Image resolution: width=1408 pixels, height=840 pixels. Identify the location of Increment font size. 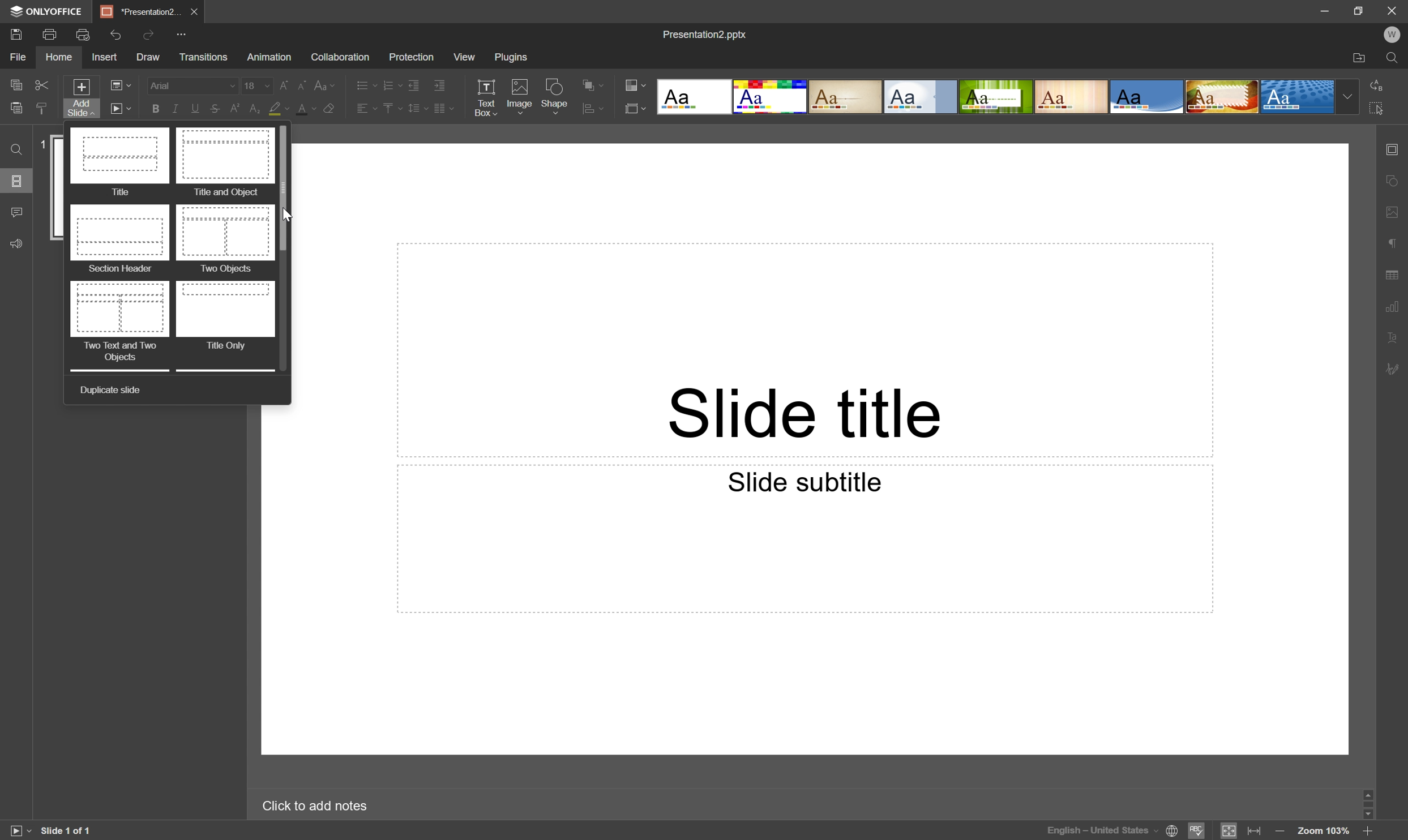
(281, 83).